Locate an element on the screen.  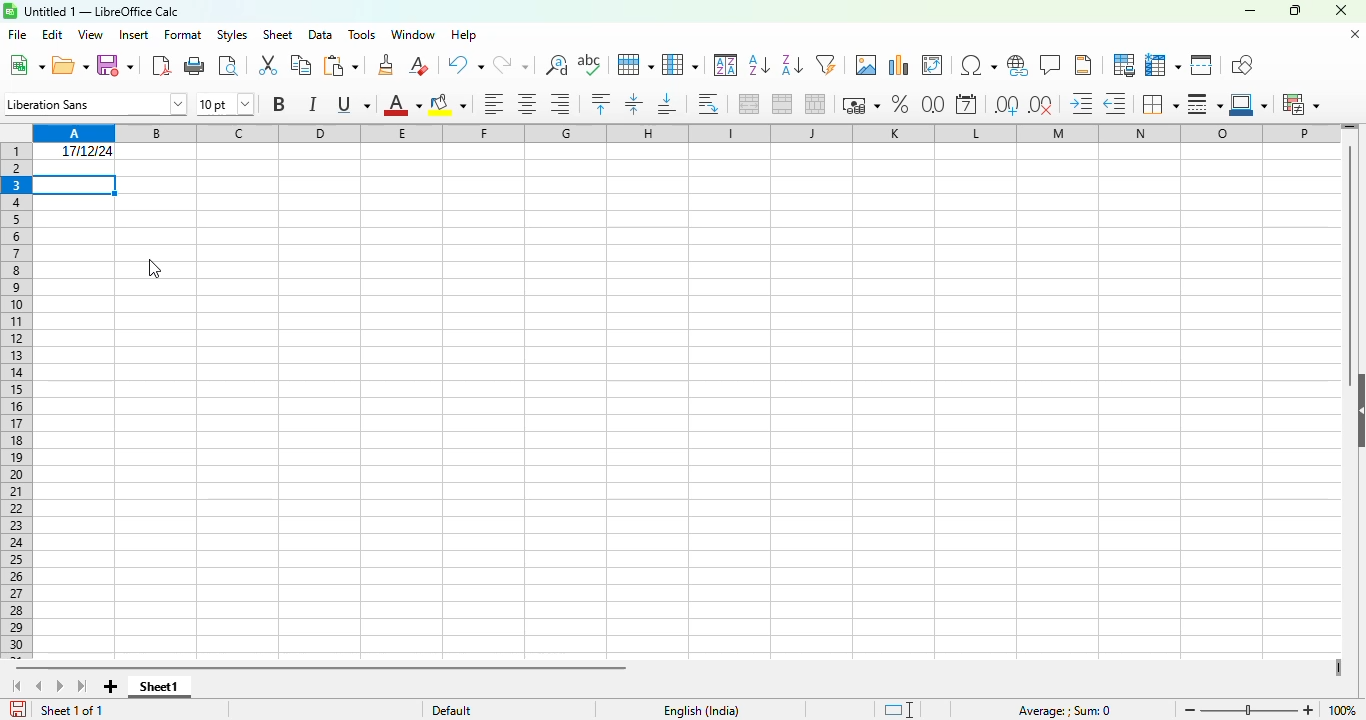
window is located at coordinates (414, 34).